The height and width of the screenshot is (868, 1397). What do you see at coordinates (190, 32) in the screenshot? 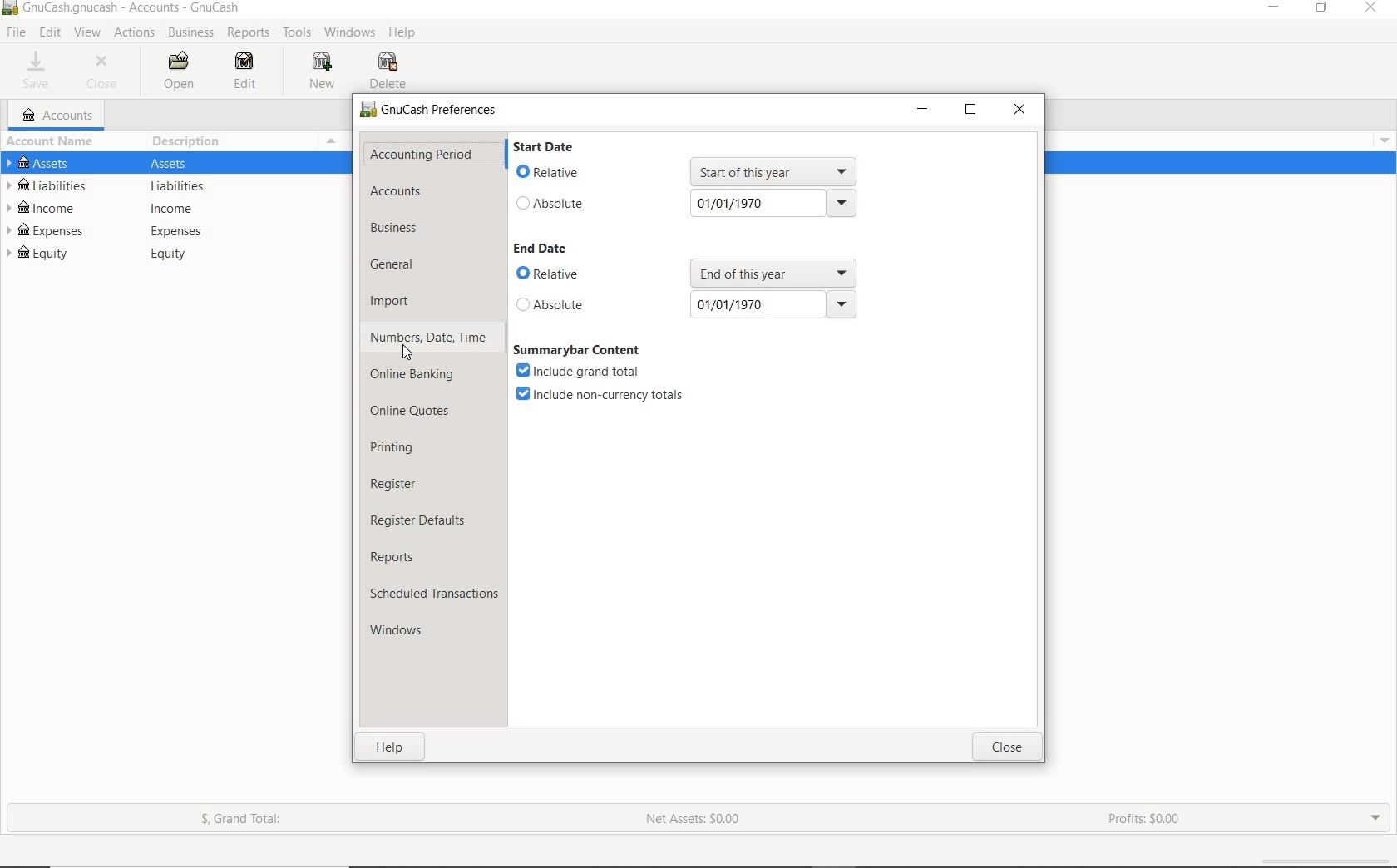
I see `BUSIINESS` at bounding box center [190, 32].